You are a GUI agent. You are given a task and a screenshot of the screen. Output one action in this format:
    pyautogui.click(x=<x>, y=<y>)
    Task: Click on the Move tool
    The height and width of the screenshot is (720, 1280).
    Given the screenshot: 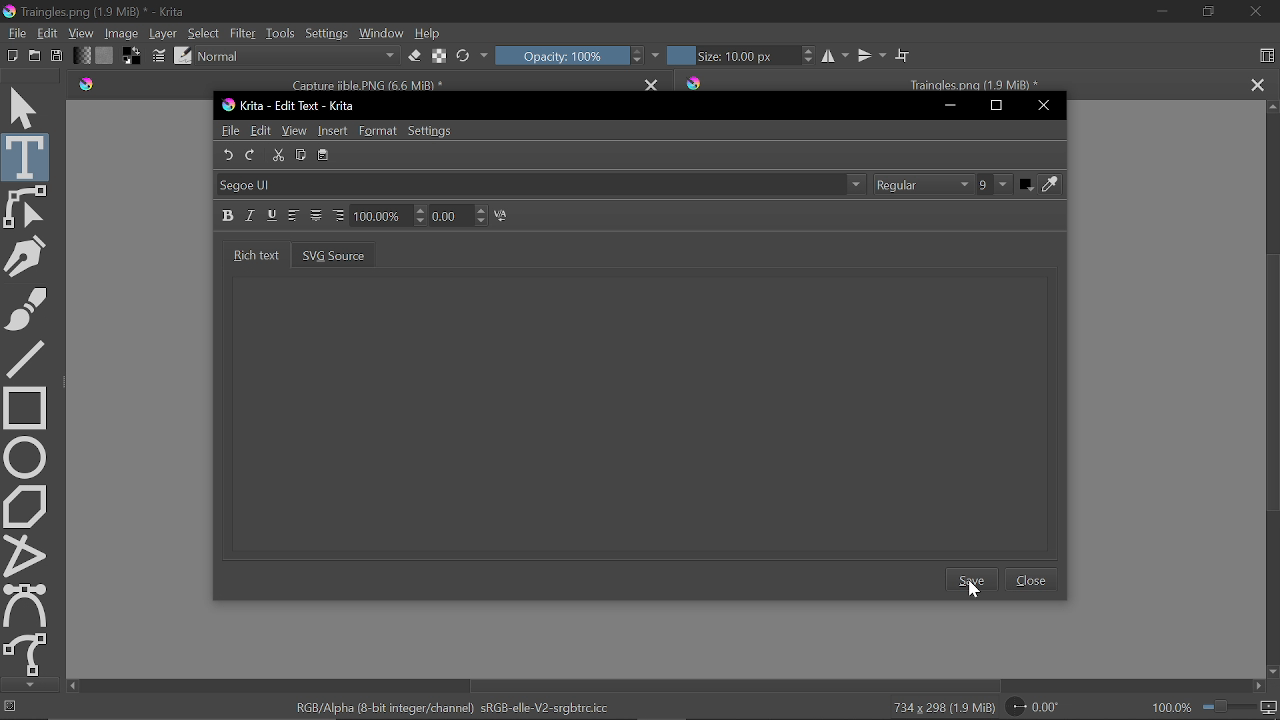 What is the action you would take?
    pyautogui.click(x=28, y=110)
    